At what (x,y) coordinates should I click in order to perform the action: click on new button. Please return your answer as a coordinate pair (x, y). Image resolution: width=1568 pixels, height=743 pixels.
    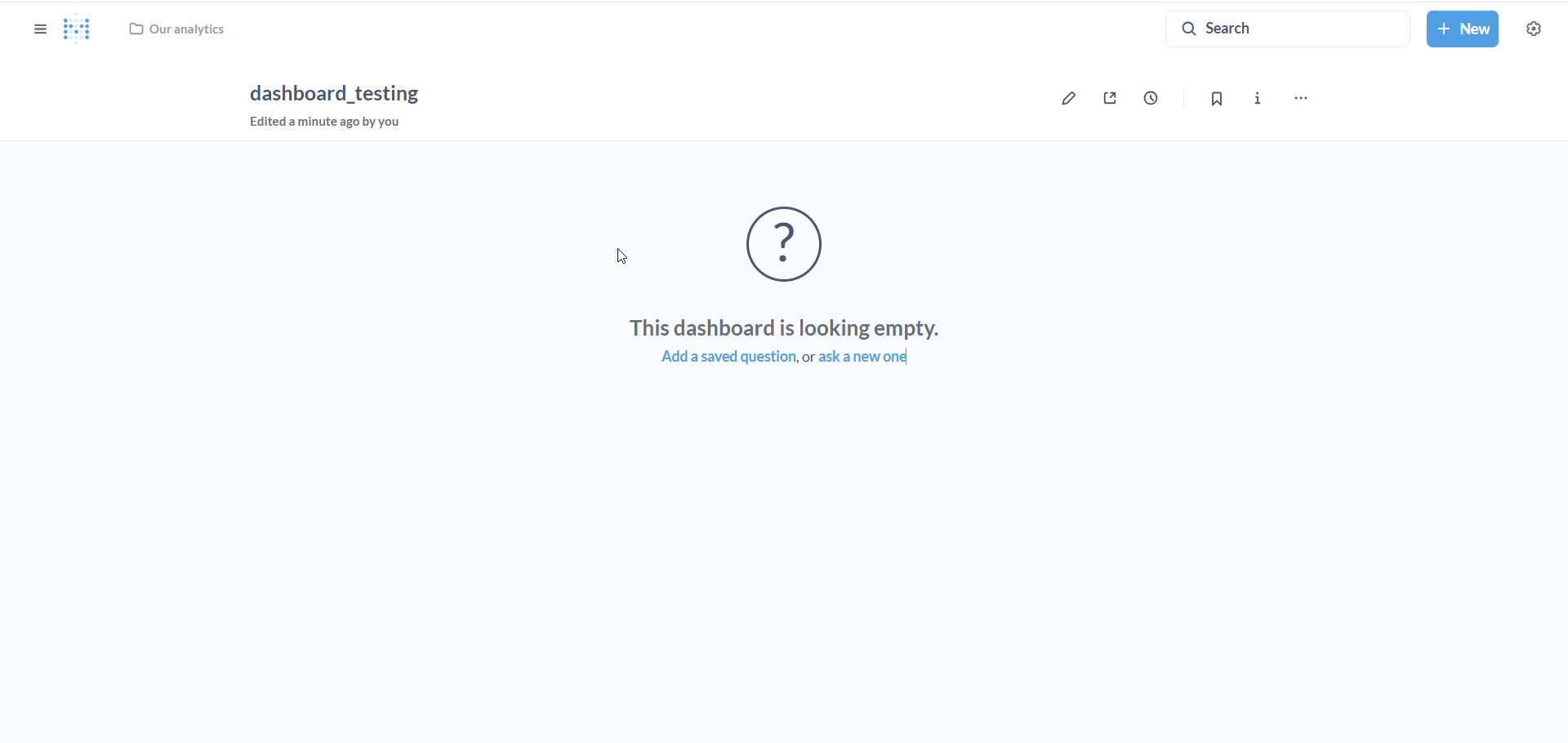
    Looking at the image, I should click on (1466, 29).